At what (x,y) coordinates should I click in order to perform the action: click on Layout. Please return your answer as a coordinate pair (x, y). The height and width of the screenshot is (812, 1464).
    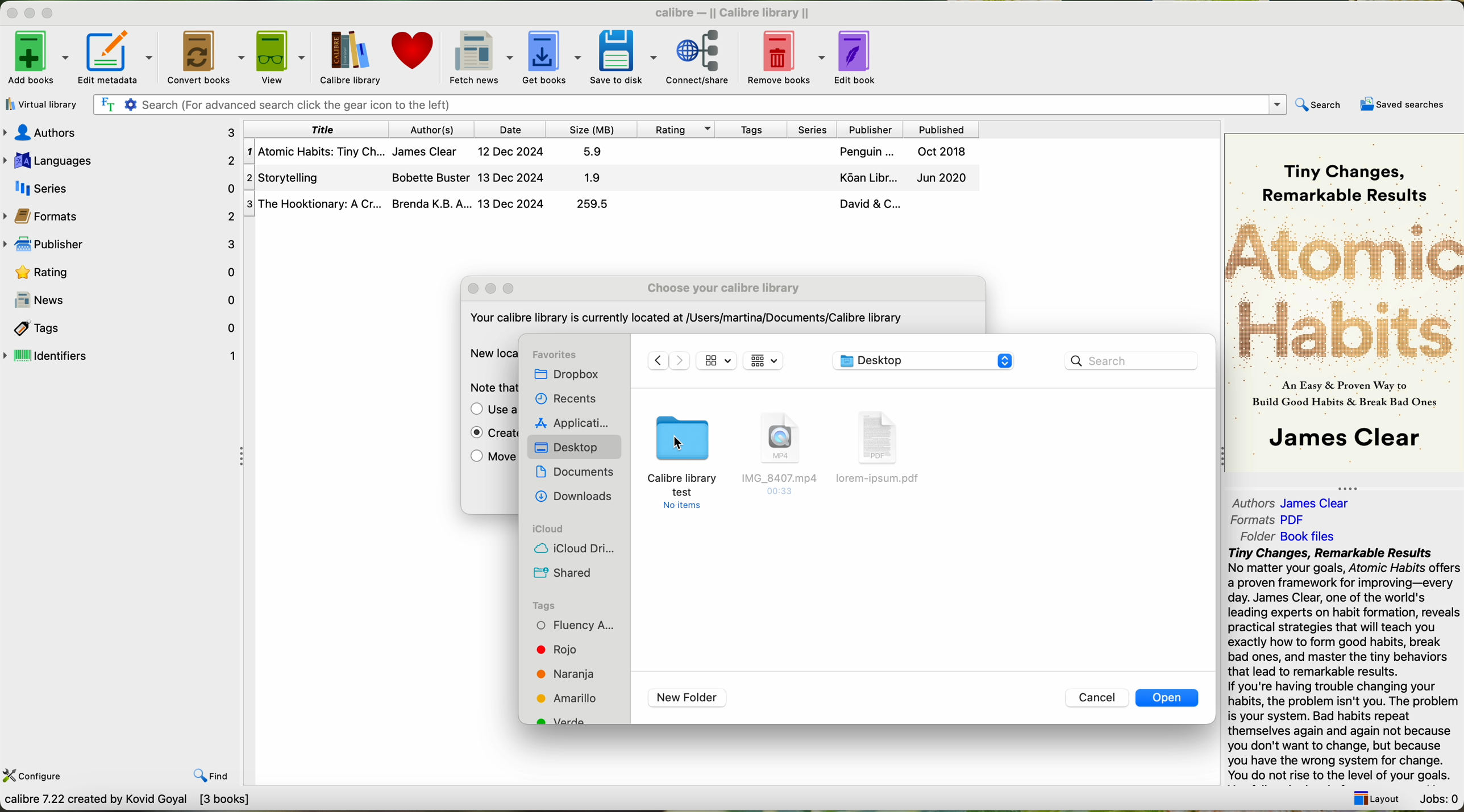
    Looking at the image, I should click on (1373, 795).